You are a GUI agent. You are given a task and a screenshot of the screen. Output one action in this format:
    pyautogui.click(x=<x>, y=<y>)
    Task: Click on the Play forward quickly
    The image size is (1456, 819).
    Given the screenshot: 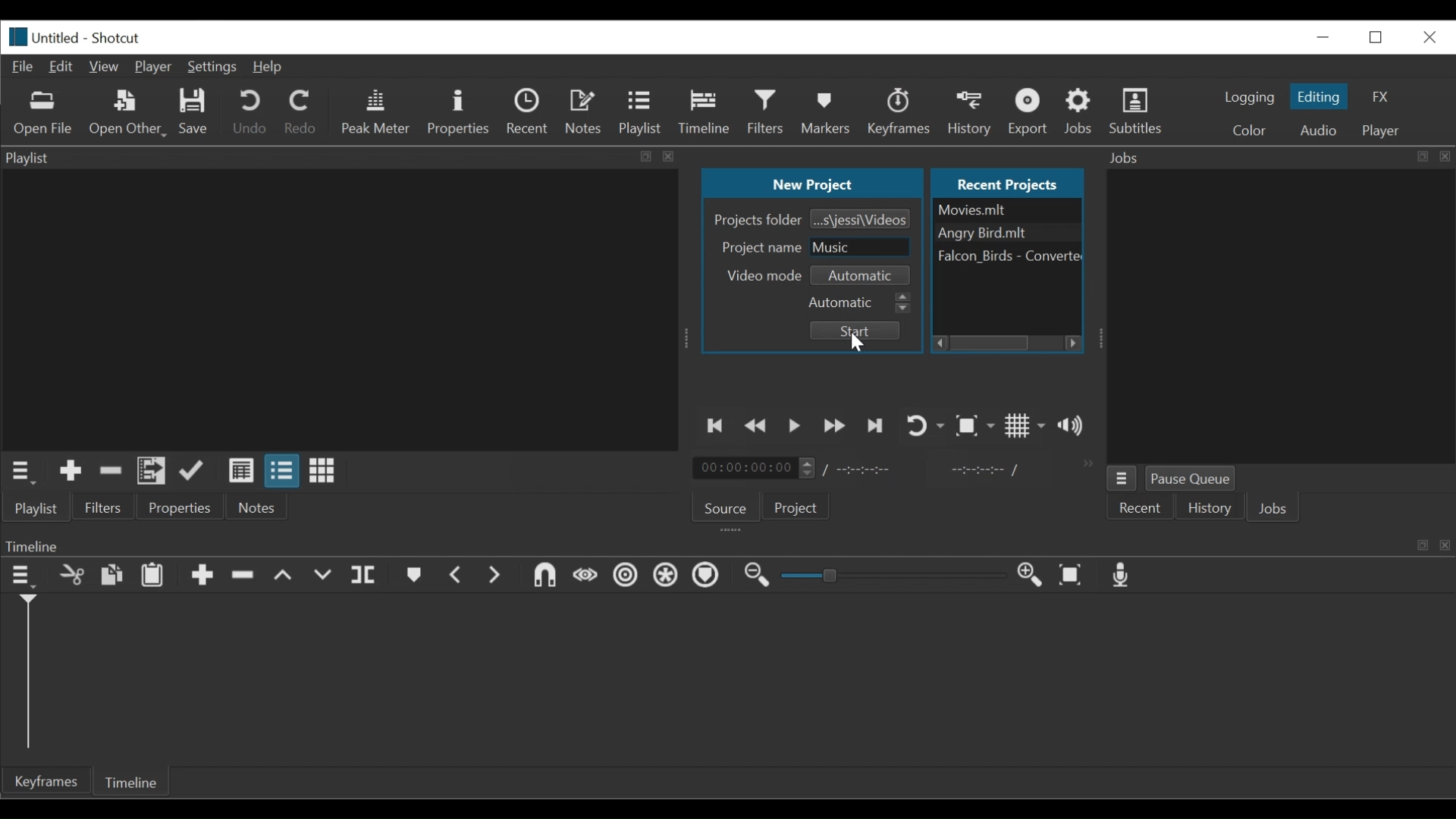 What is the action you would take?
    pyautogui.click(x=835, y=427)
    